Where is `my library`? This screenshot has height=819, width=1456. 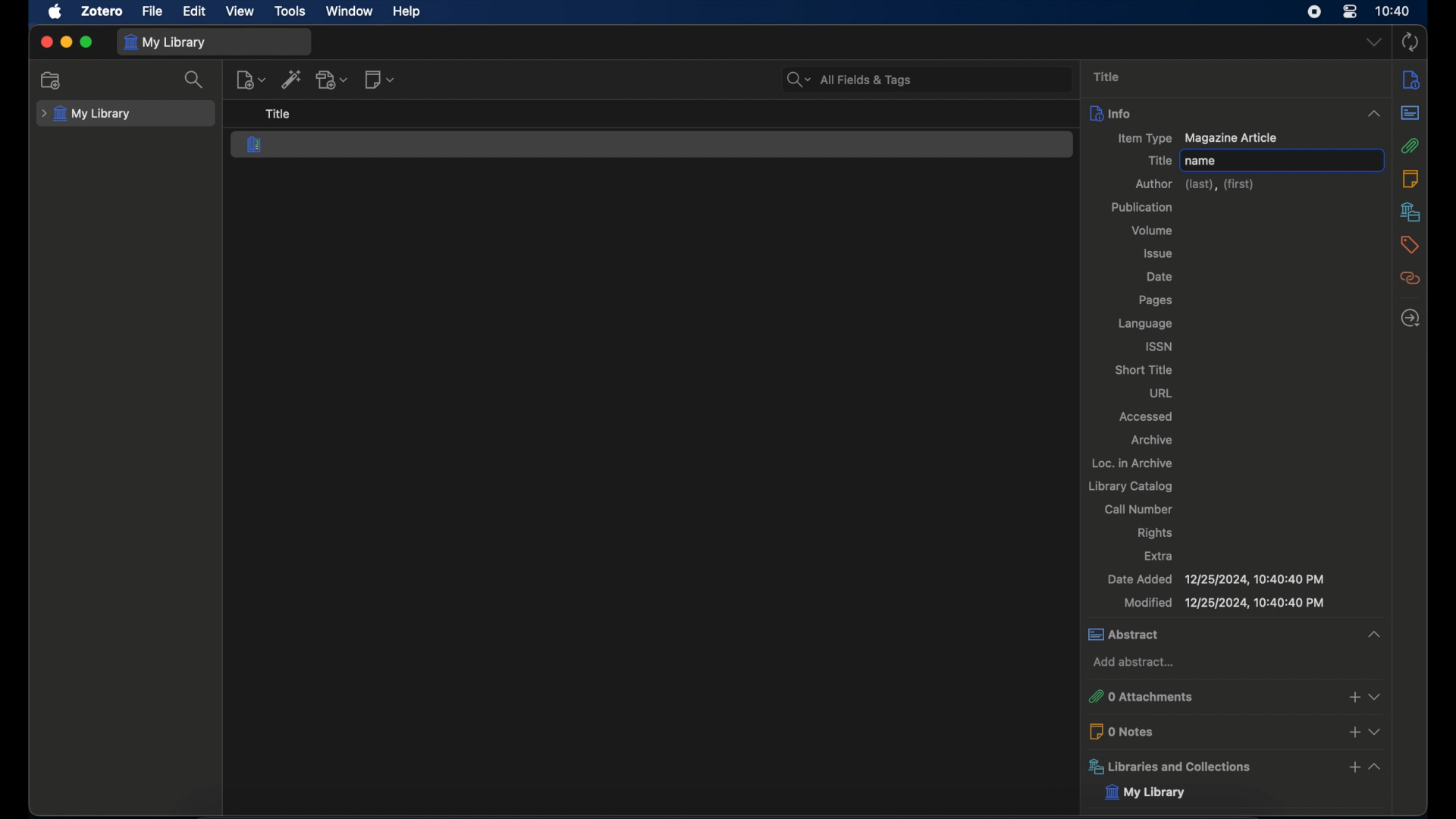 my library is located at coordinates (165, 43).